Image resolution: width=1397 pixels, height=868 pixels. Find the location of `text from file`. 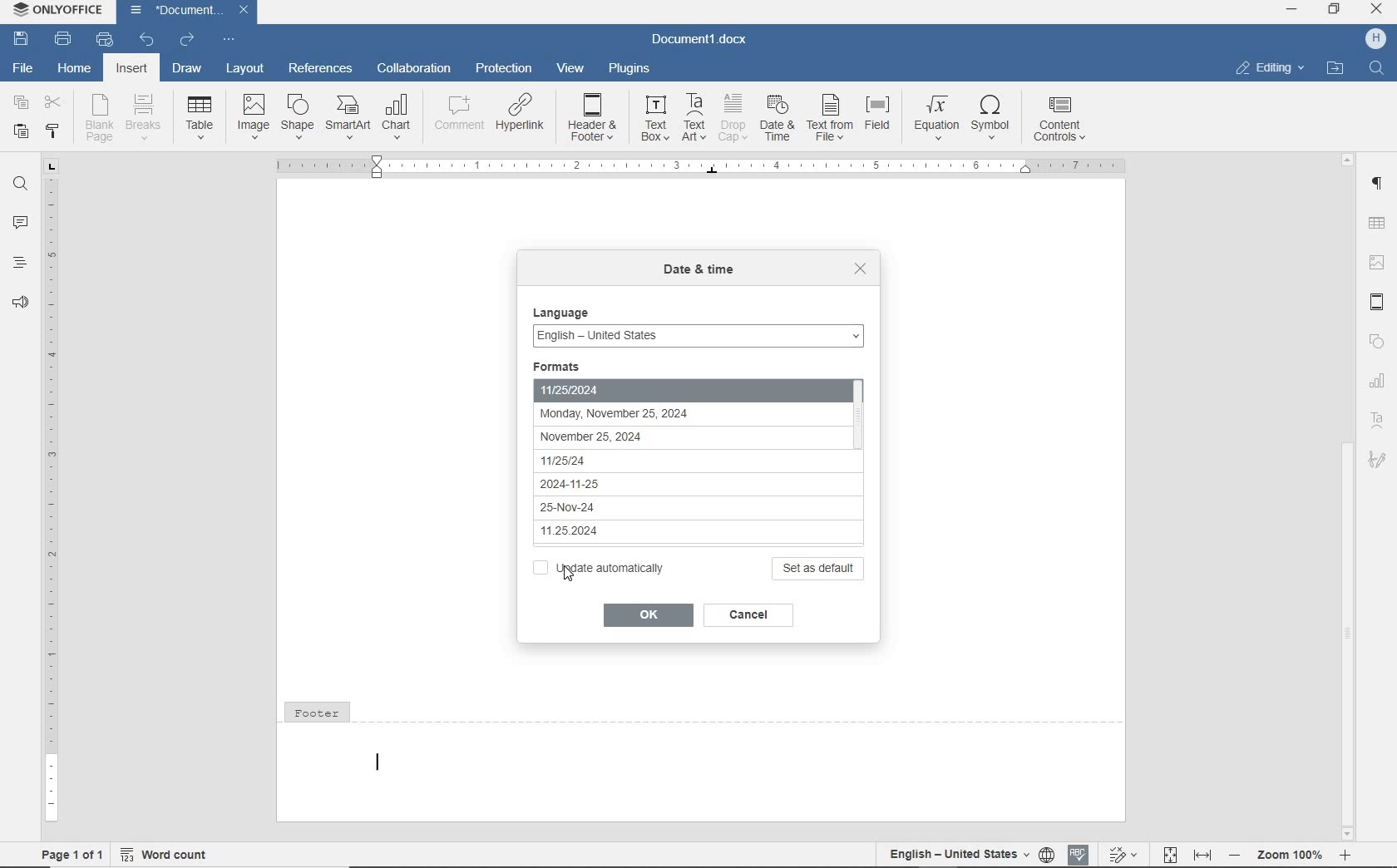

text from file is located at coordinates (830, 117).